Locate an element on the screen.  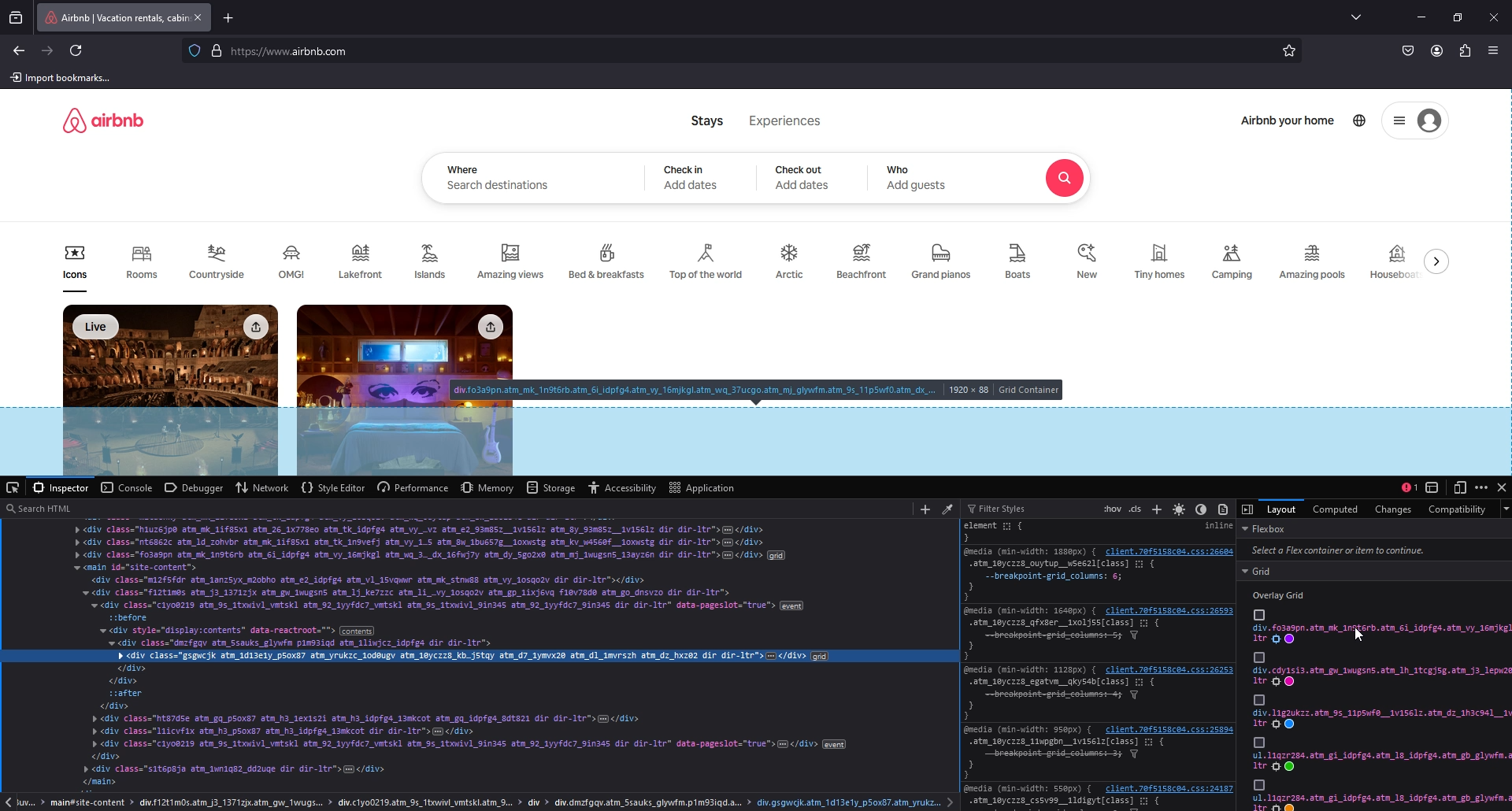
tiny homes is located at coordinates (1161, 262).